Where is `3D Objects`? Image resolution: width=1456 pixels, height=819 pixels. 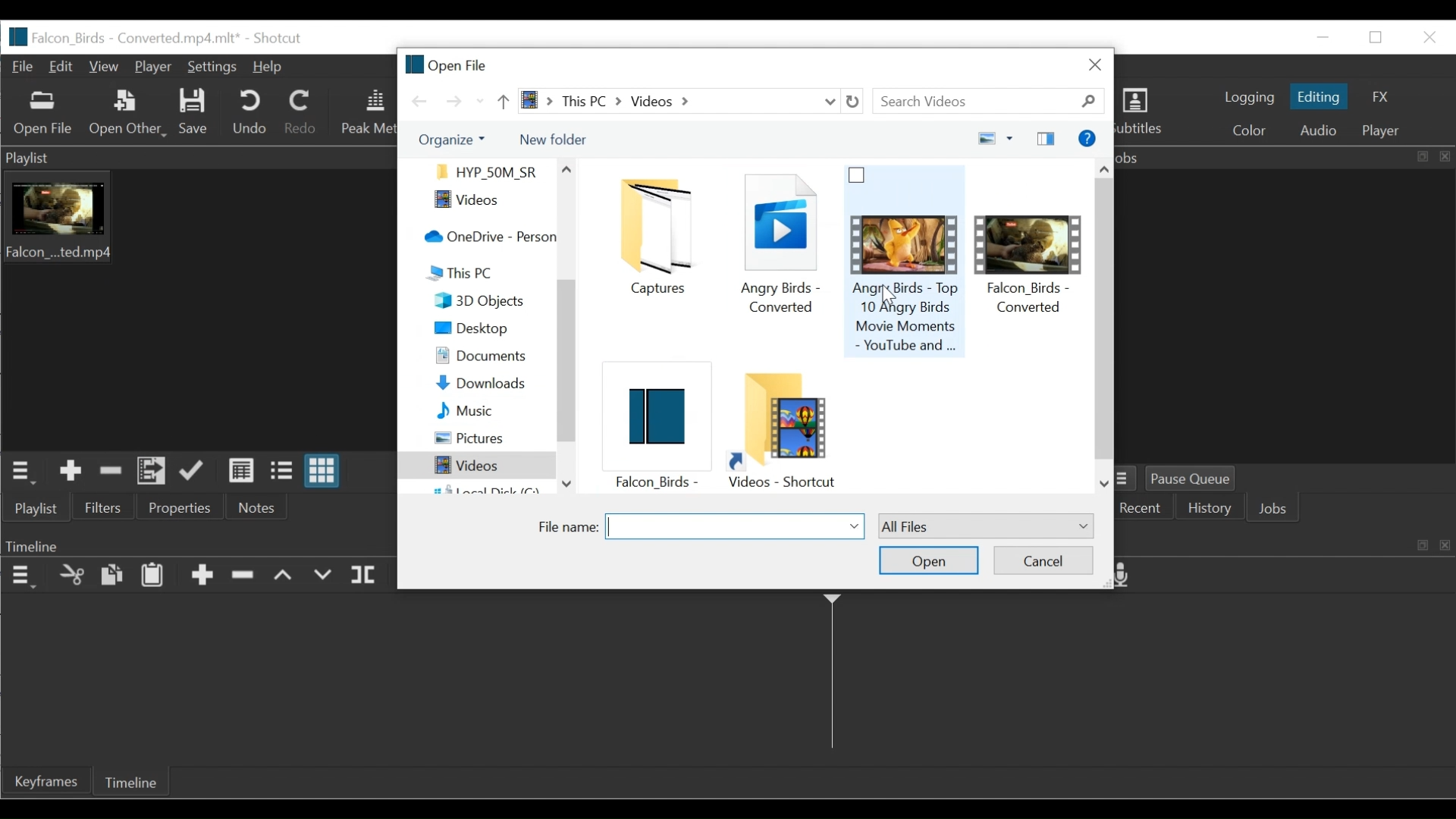 3D Objects is located at coordinates (483, 301).